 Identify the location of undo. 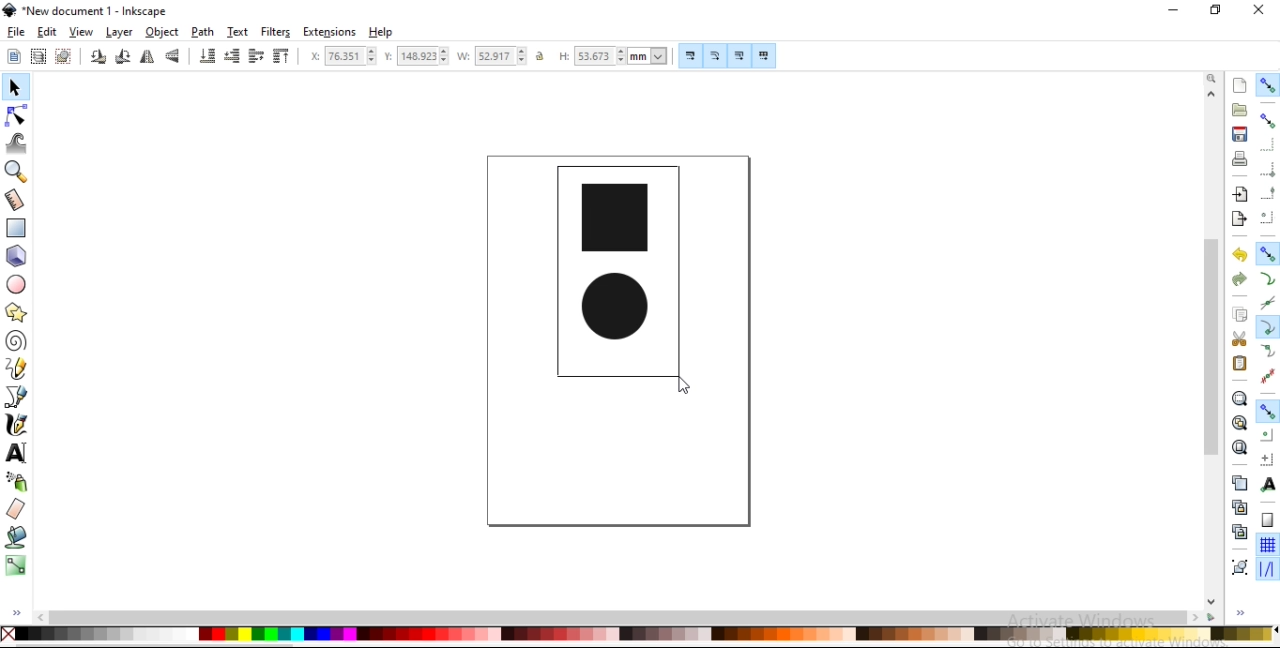
(1239, 255).